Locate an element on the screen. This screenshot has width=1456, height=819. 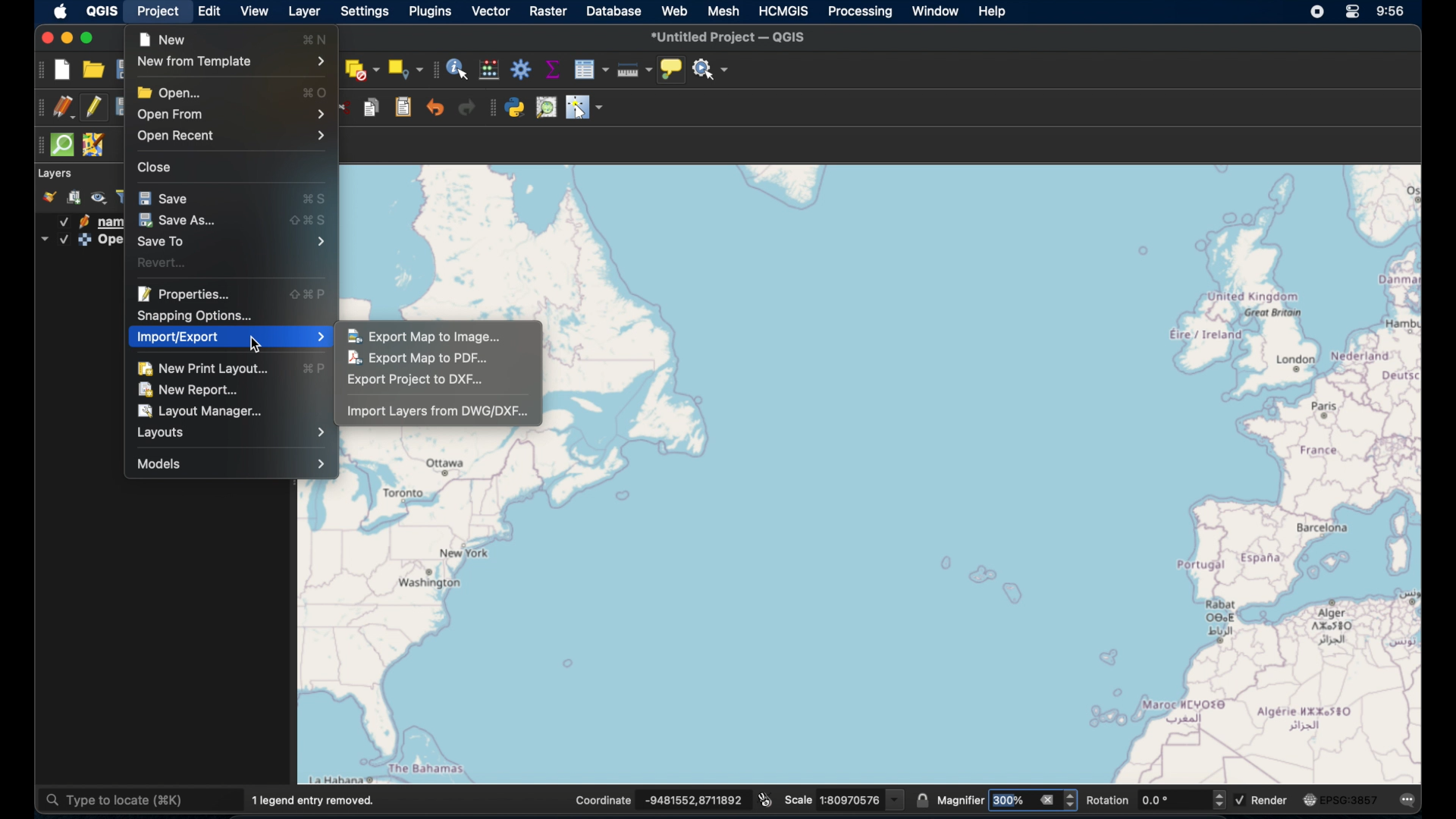
identify features is located at coordinates (459, 70).